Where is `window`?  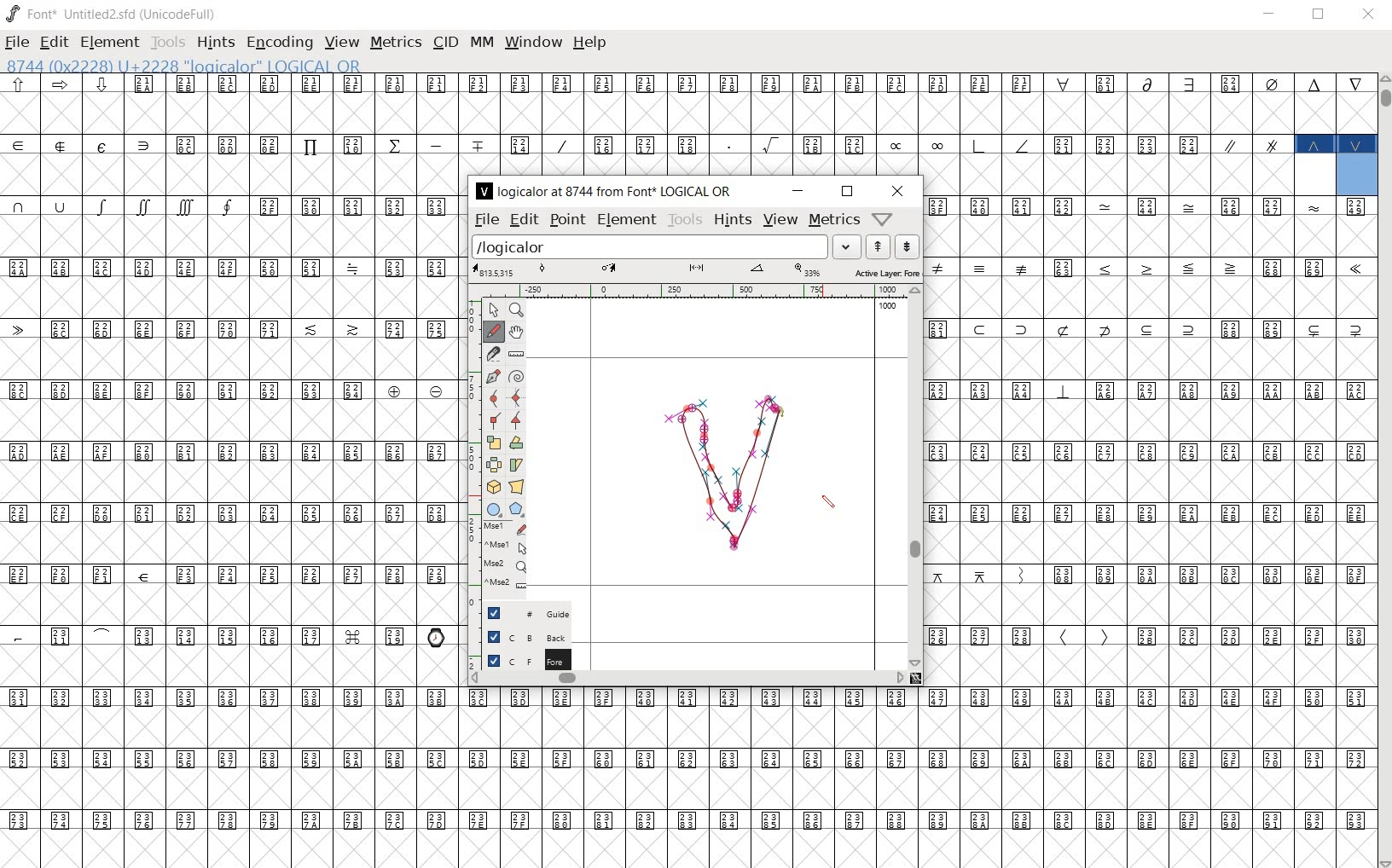 window is located at coordinates (535, 43).